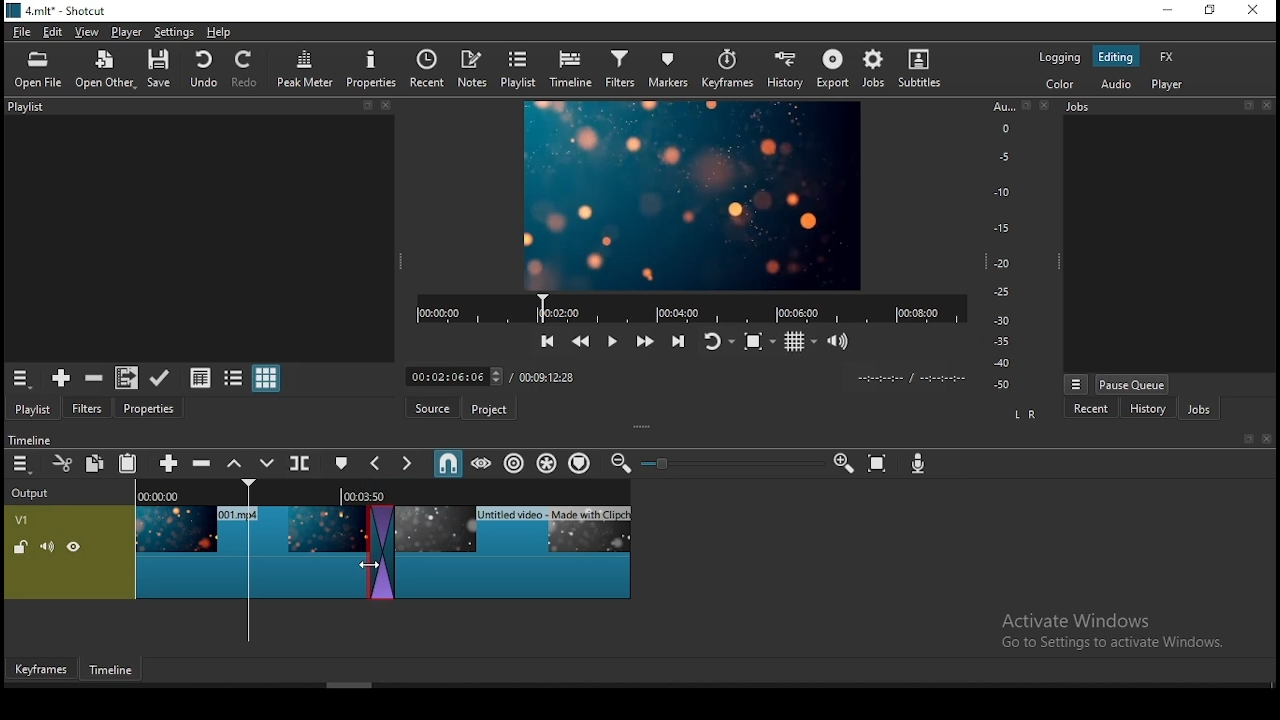  What do you see at coordinates (33, 407) in the screenshot?
I see `playlist` at bounding box center [33, 407].